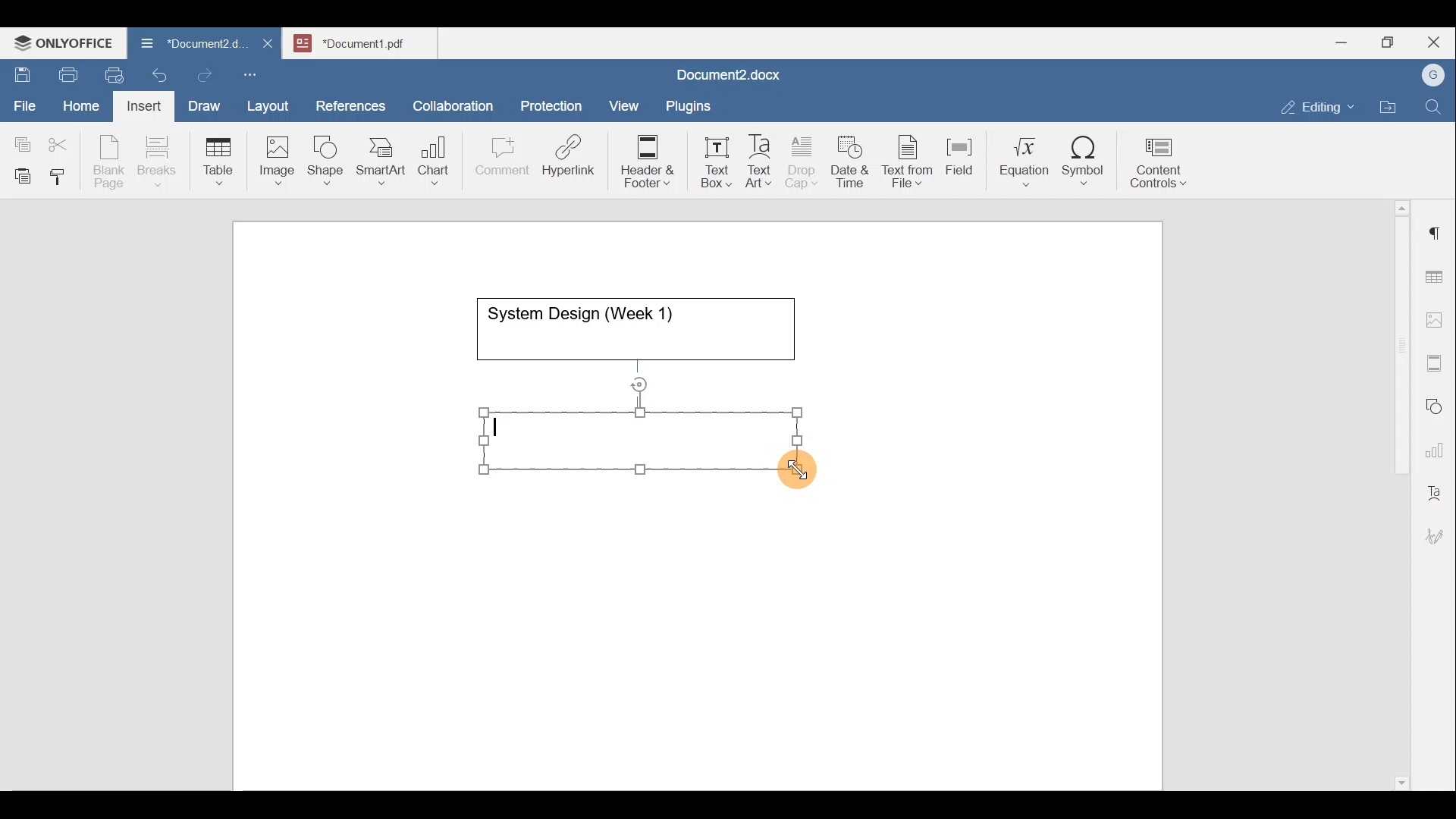  What do you see at coordinates (1436, 487) in the screenshot?
I see `Text Art settings` at bounding box center [1436, 487].